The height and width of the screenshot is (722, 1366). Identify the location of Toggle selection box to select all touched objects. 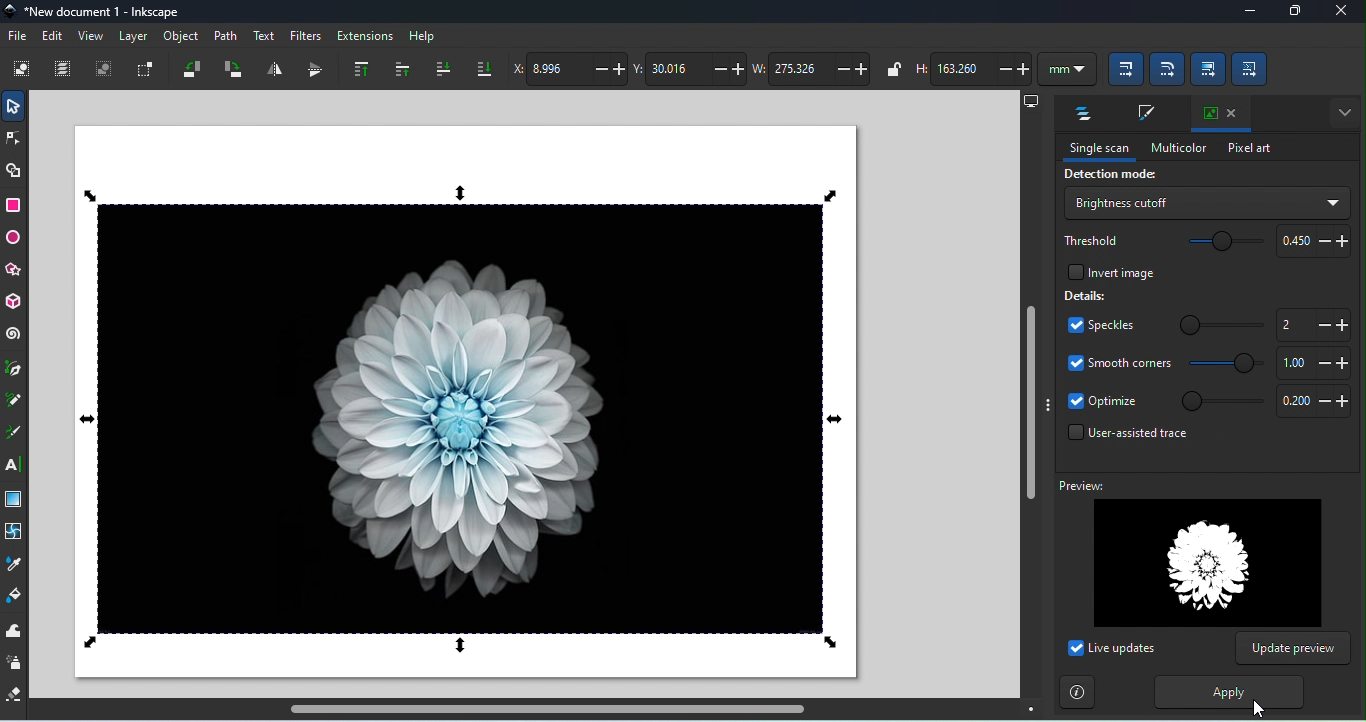
(147, 69).